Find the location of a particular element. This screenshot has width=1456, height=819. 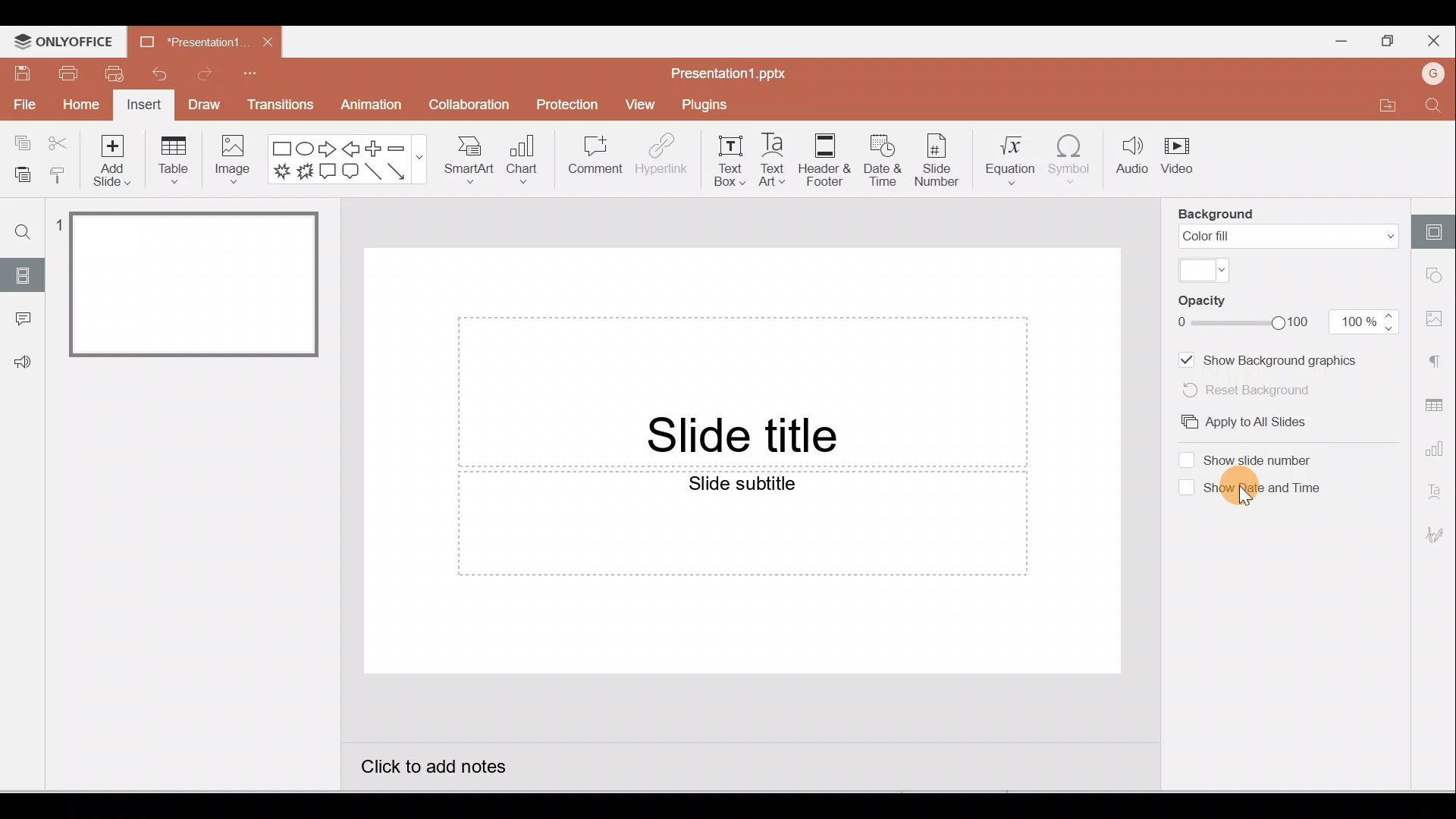

ONLYOFFICE is located at coordinates (62, 42).